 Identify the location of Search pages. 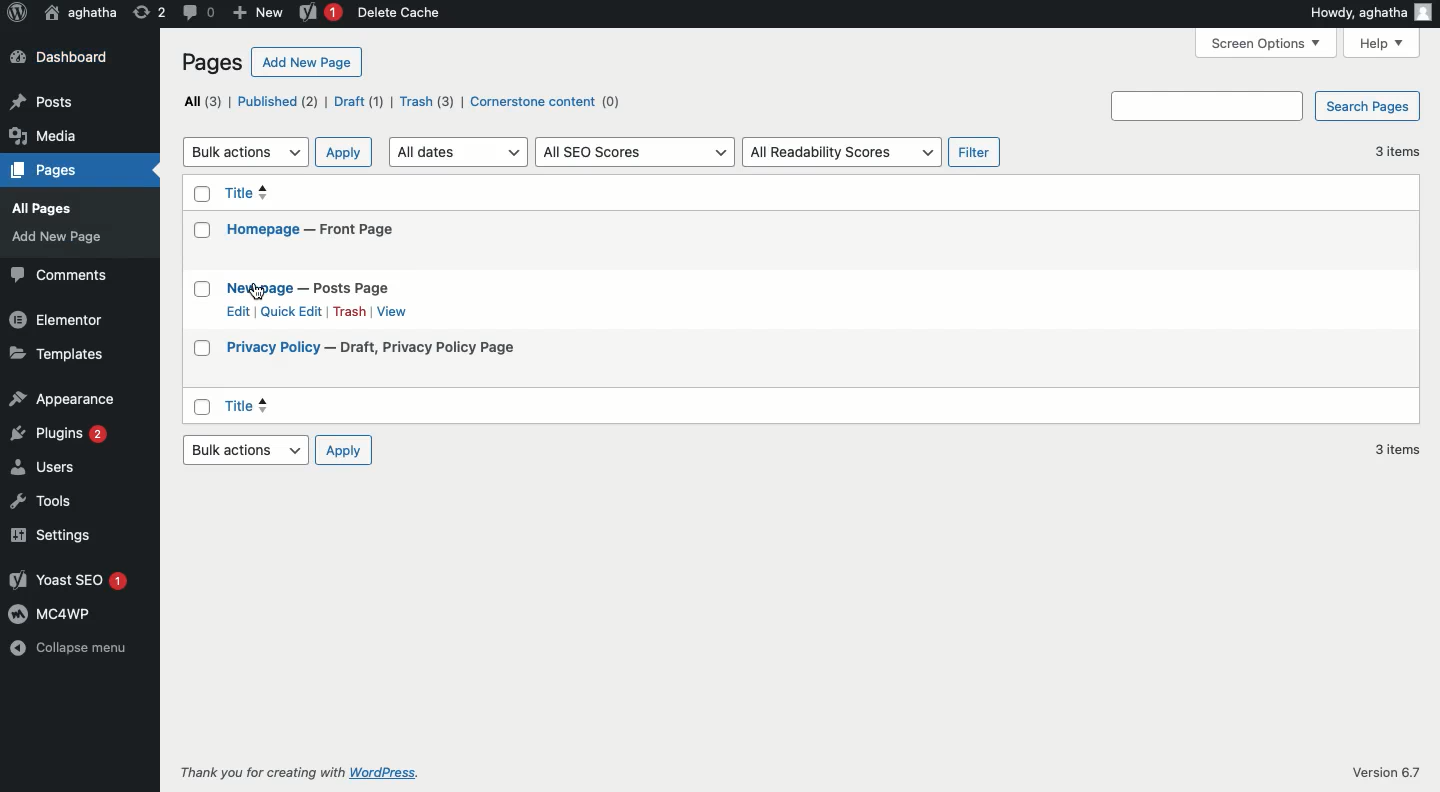
(1266, 105).